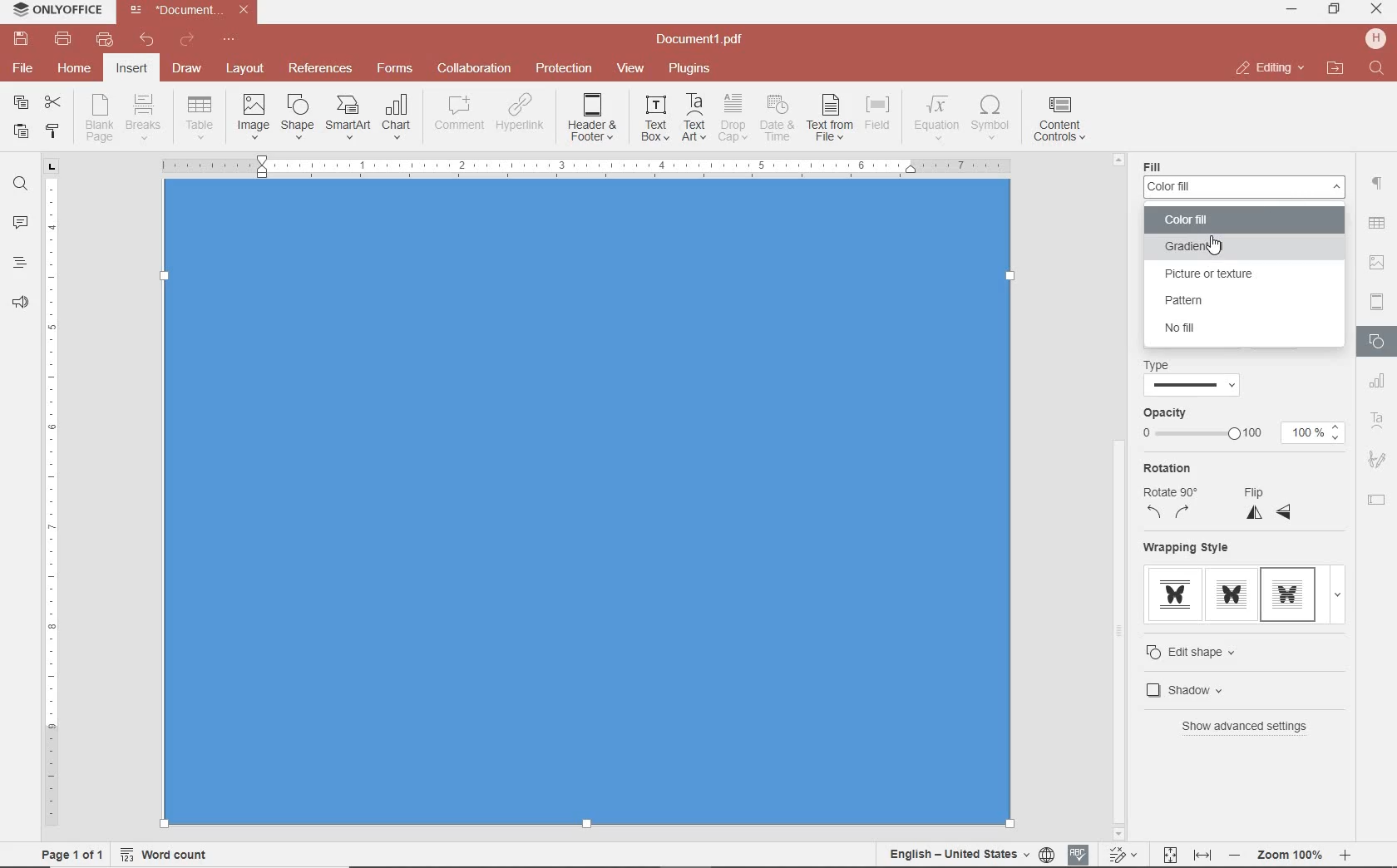 This screenshot has width=1397, height=868. What do you see at coordinates (1238, 579) in the screenshot?
I see `WRAPPING STYLE` at bounding box center [1238, 579].